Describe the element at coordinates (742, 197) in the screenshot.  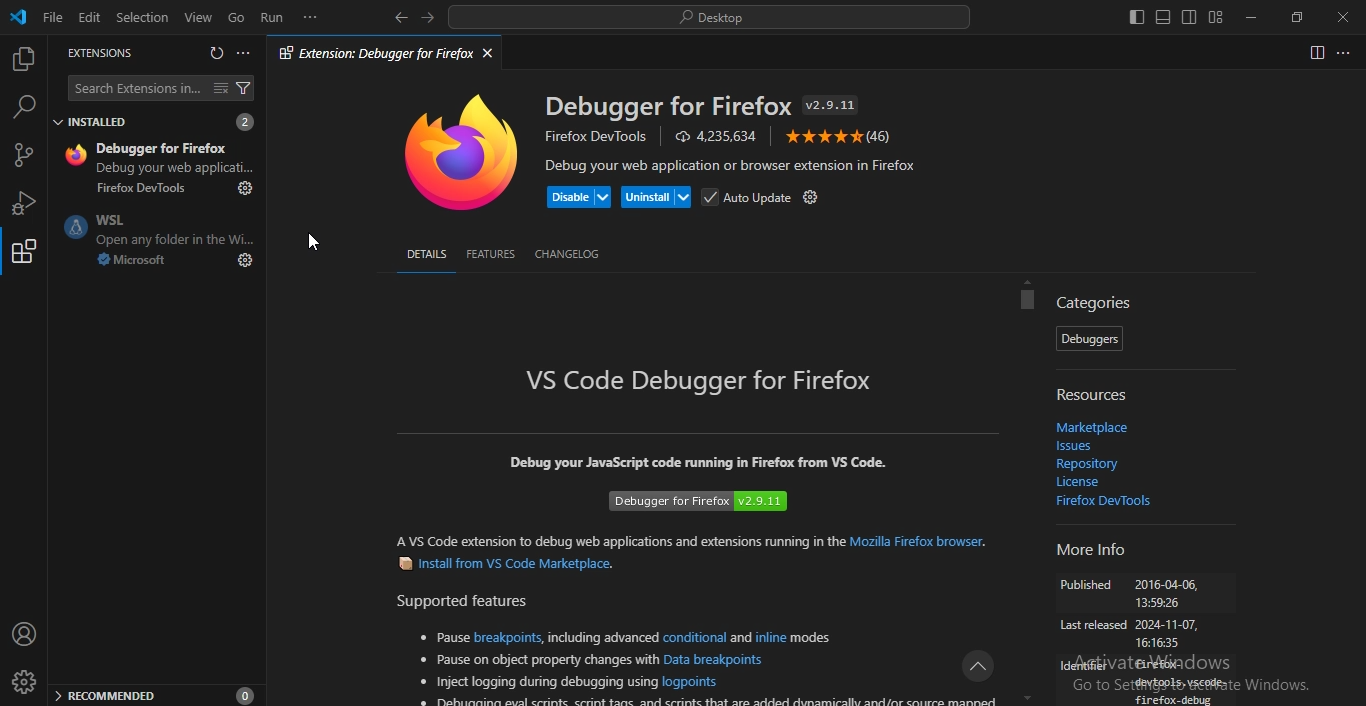
I see `auto update` at that location.